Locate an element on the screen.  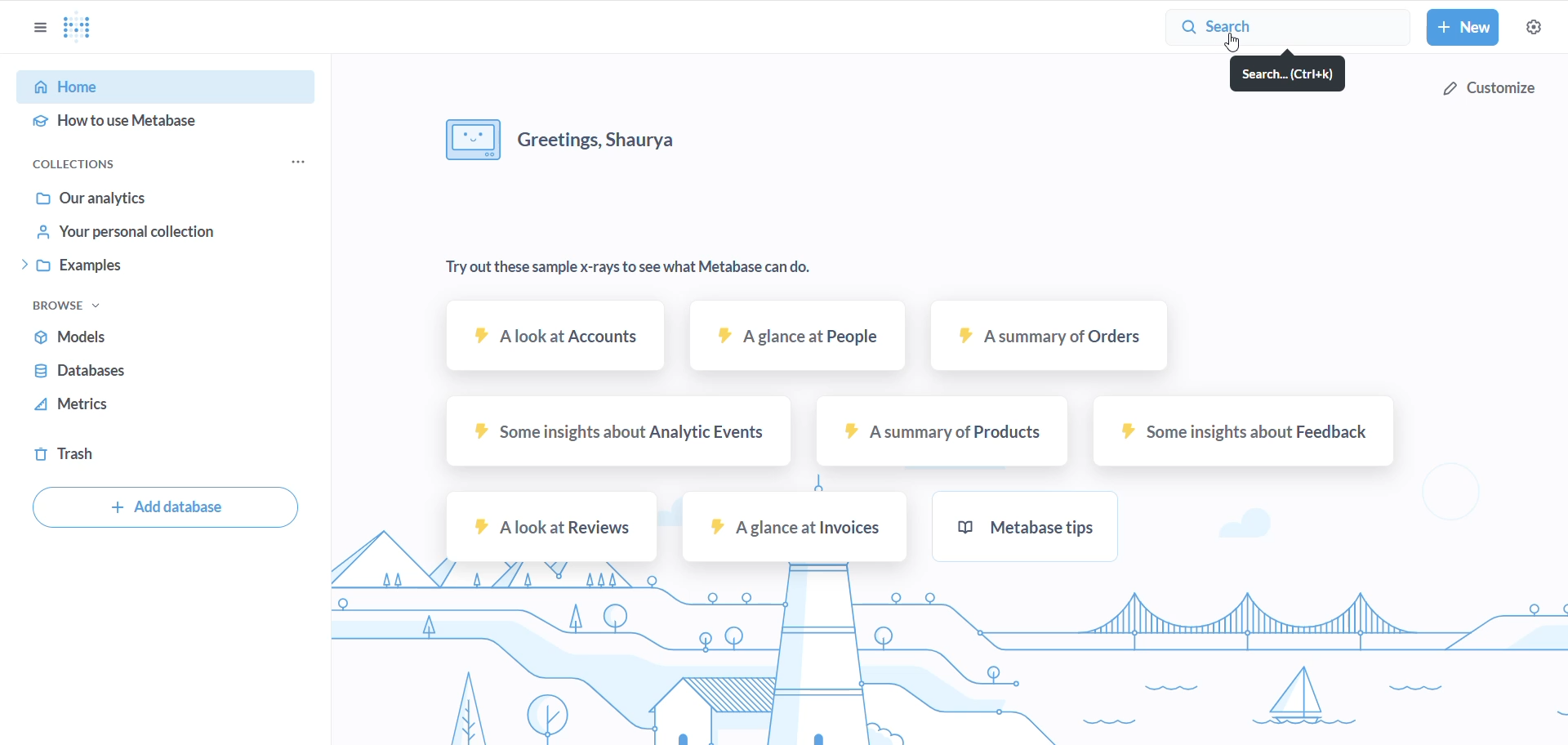
A glance at invoices sample is located at coordinates (797, 528).